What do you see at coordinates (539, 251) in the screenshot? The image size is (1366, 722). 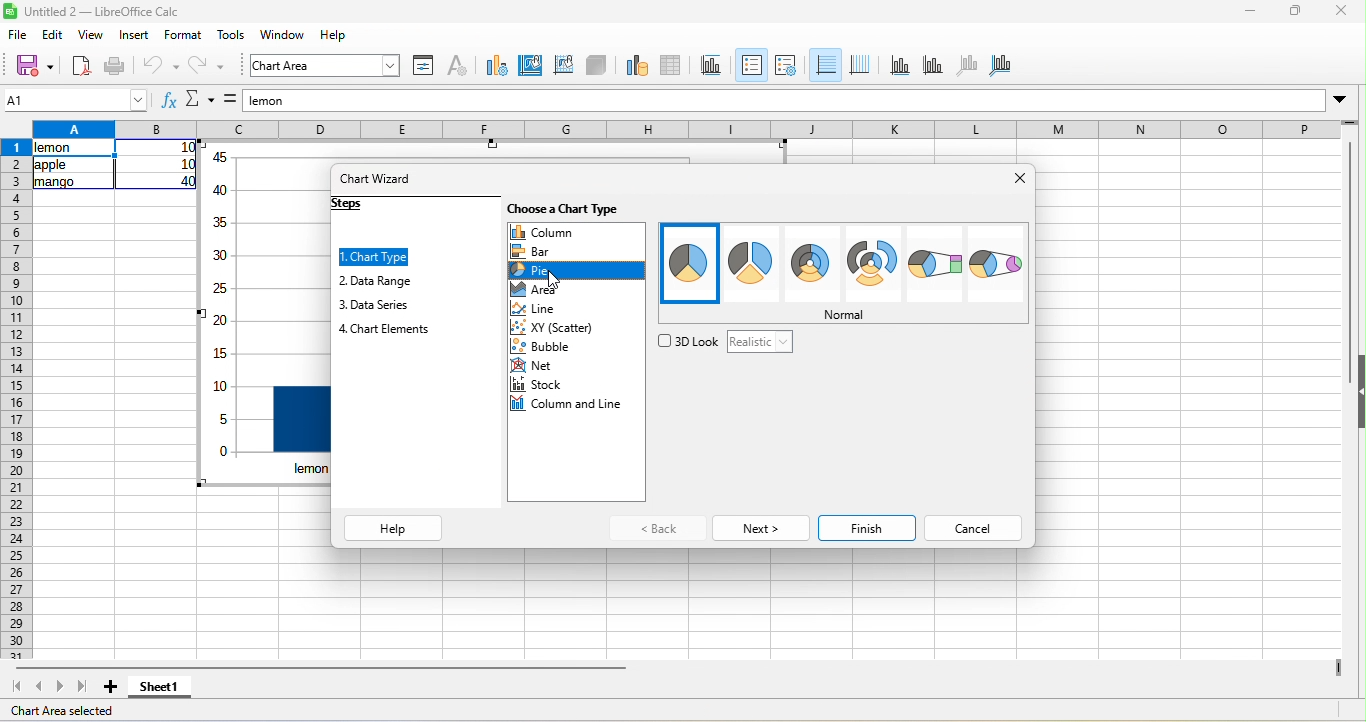 I see `bar` at bounding box center [539, 251].